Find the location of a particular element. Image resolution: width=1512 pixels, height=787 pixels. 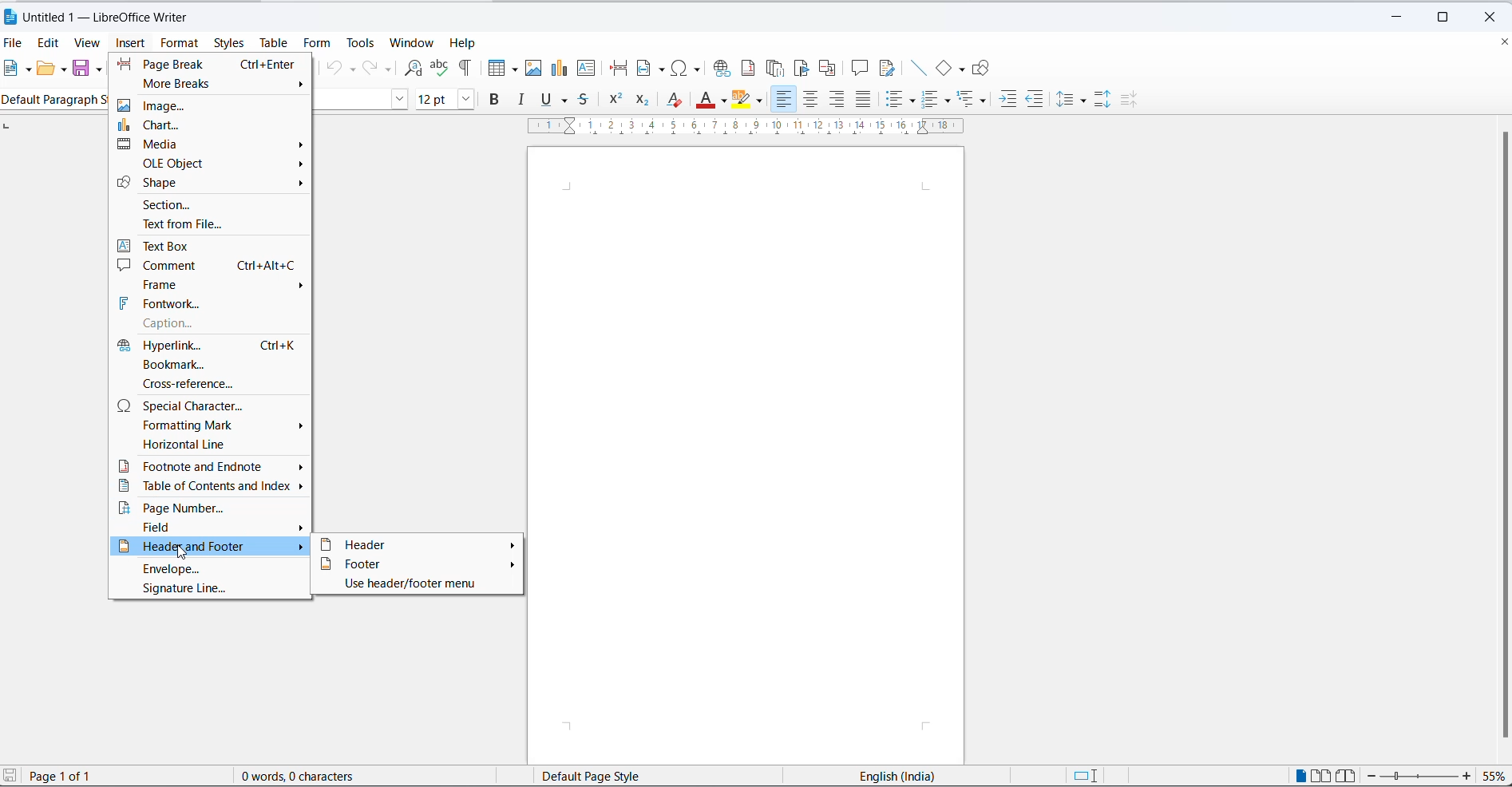

maximize is located at coordinates (1449, 14).